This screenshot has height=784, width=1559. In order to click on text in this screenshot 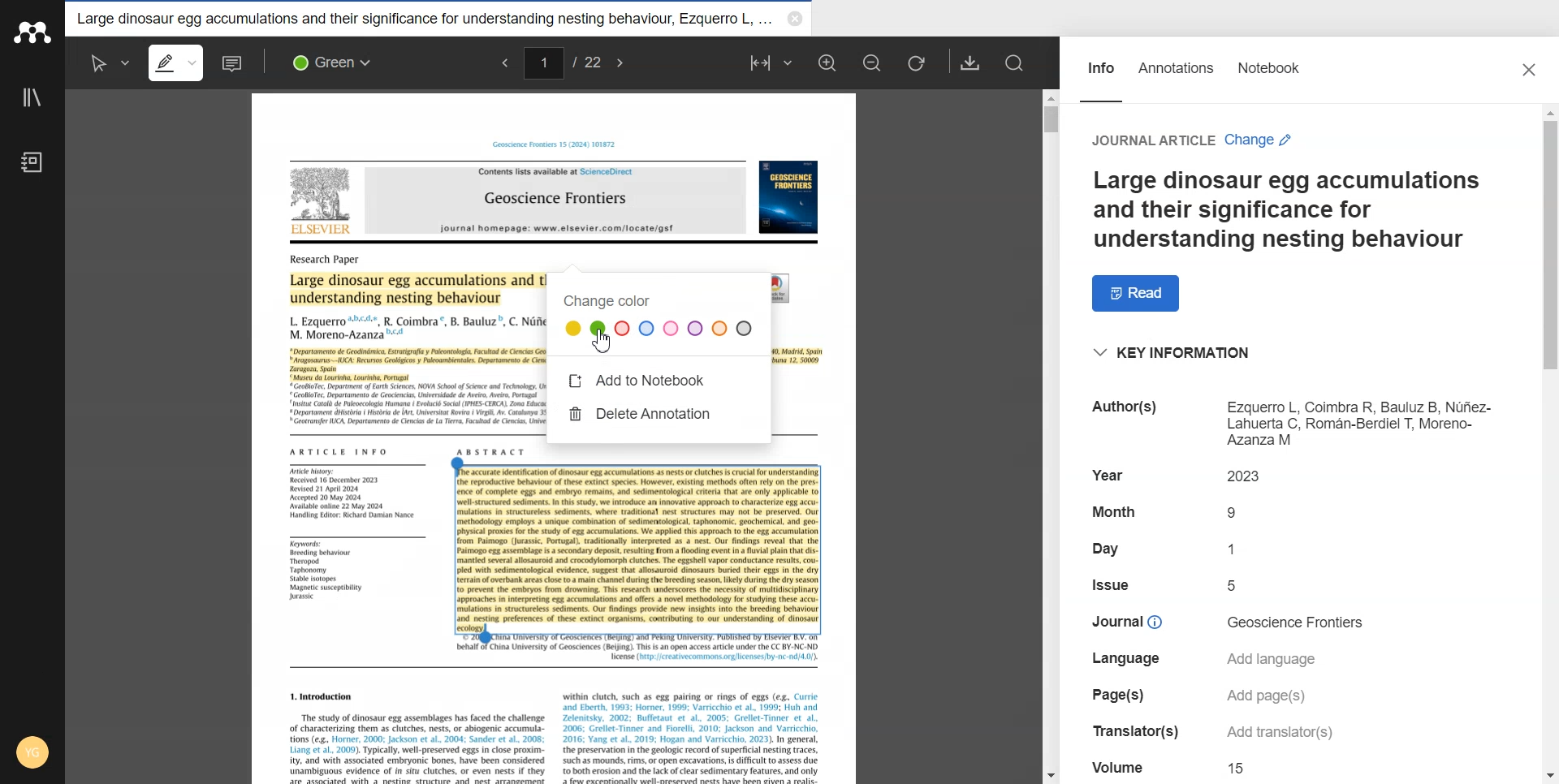, I will do `click(558, 145)`.